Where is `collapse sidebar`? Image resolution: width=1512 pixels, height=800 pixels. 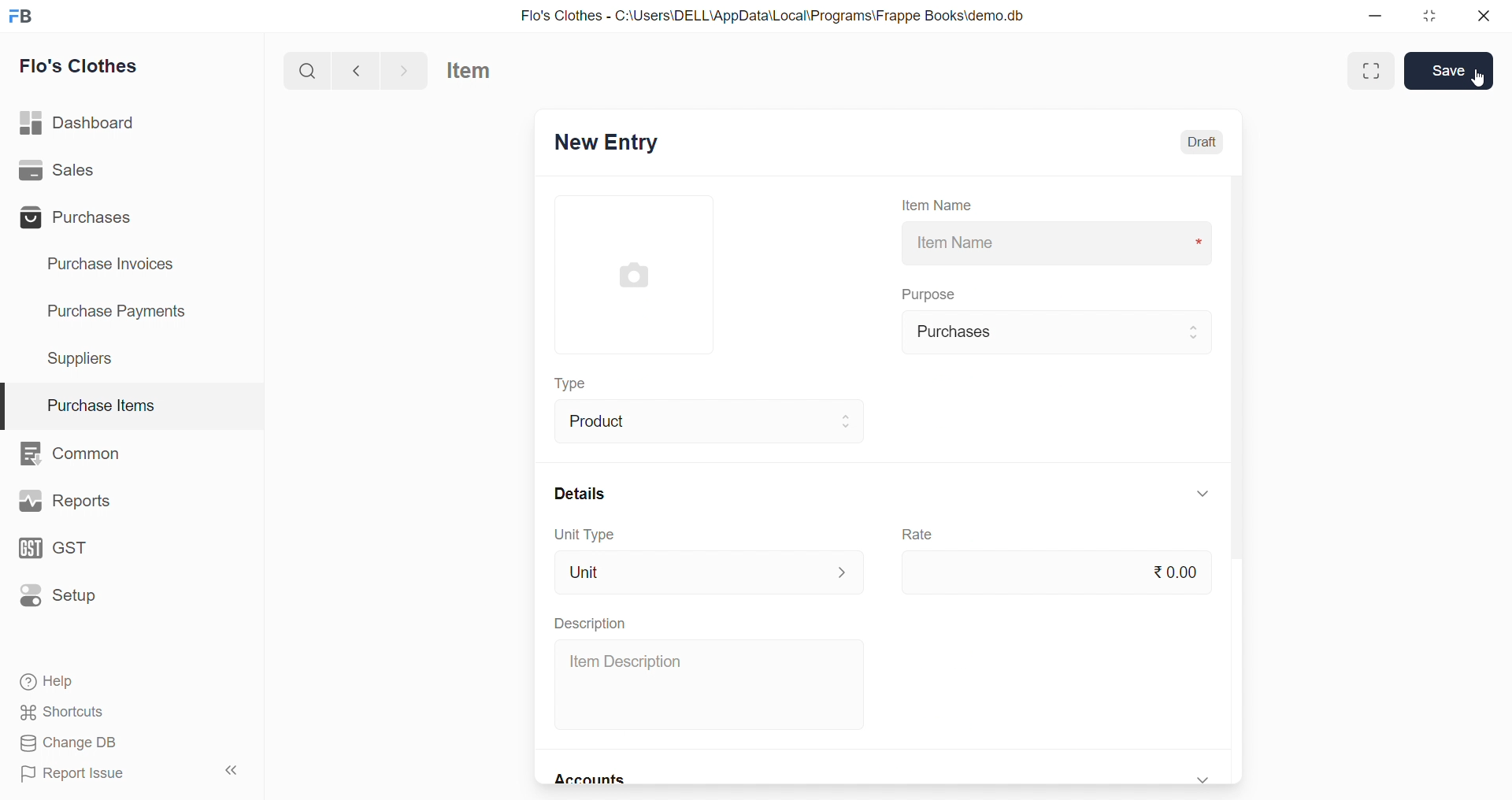
collapse sidebar is located at coordinates (238, 772).